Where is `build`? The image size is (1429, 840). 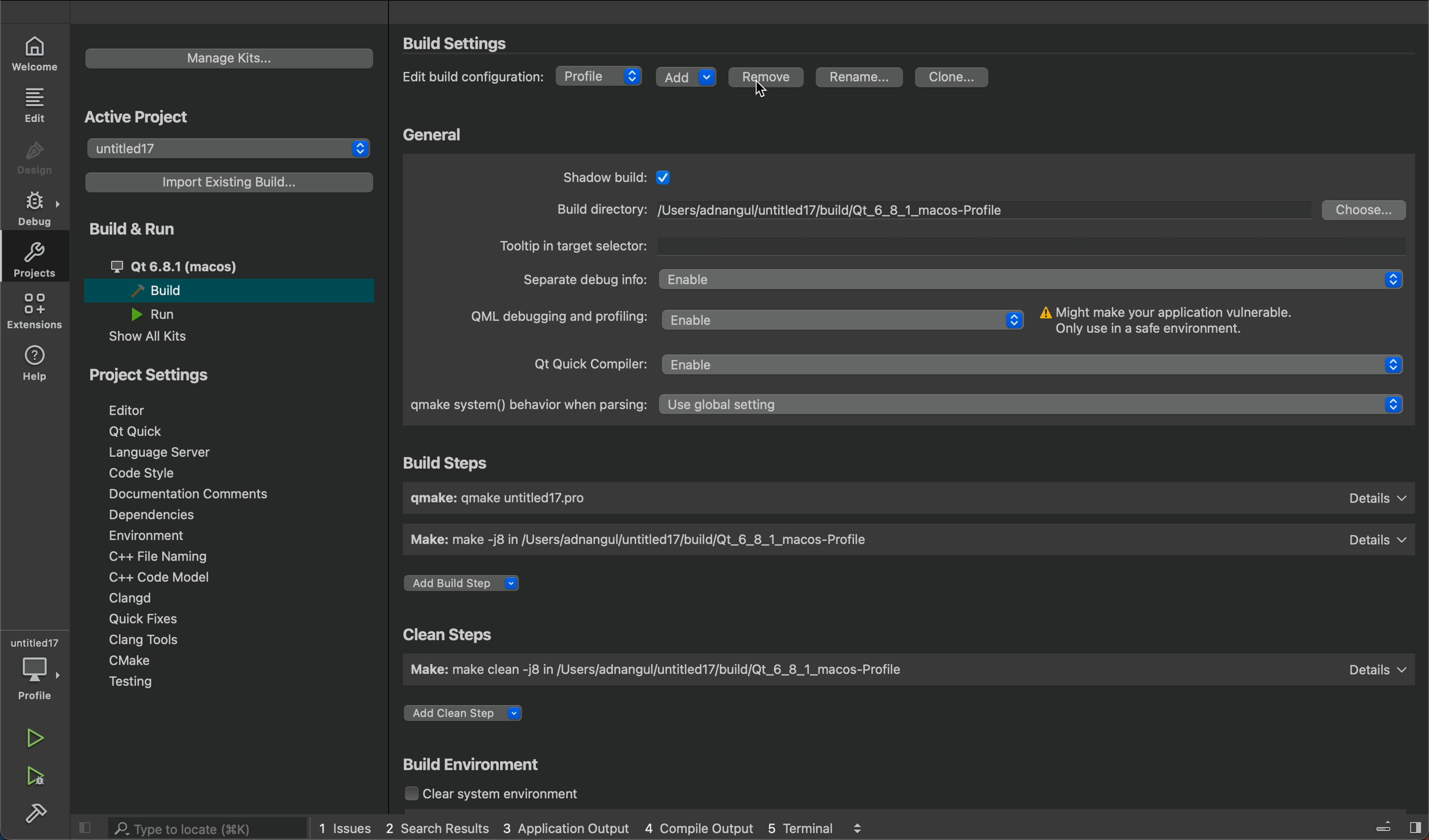
build is located at coordinates (38, 813).